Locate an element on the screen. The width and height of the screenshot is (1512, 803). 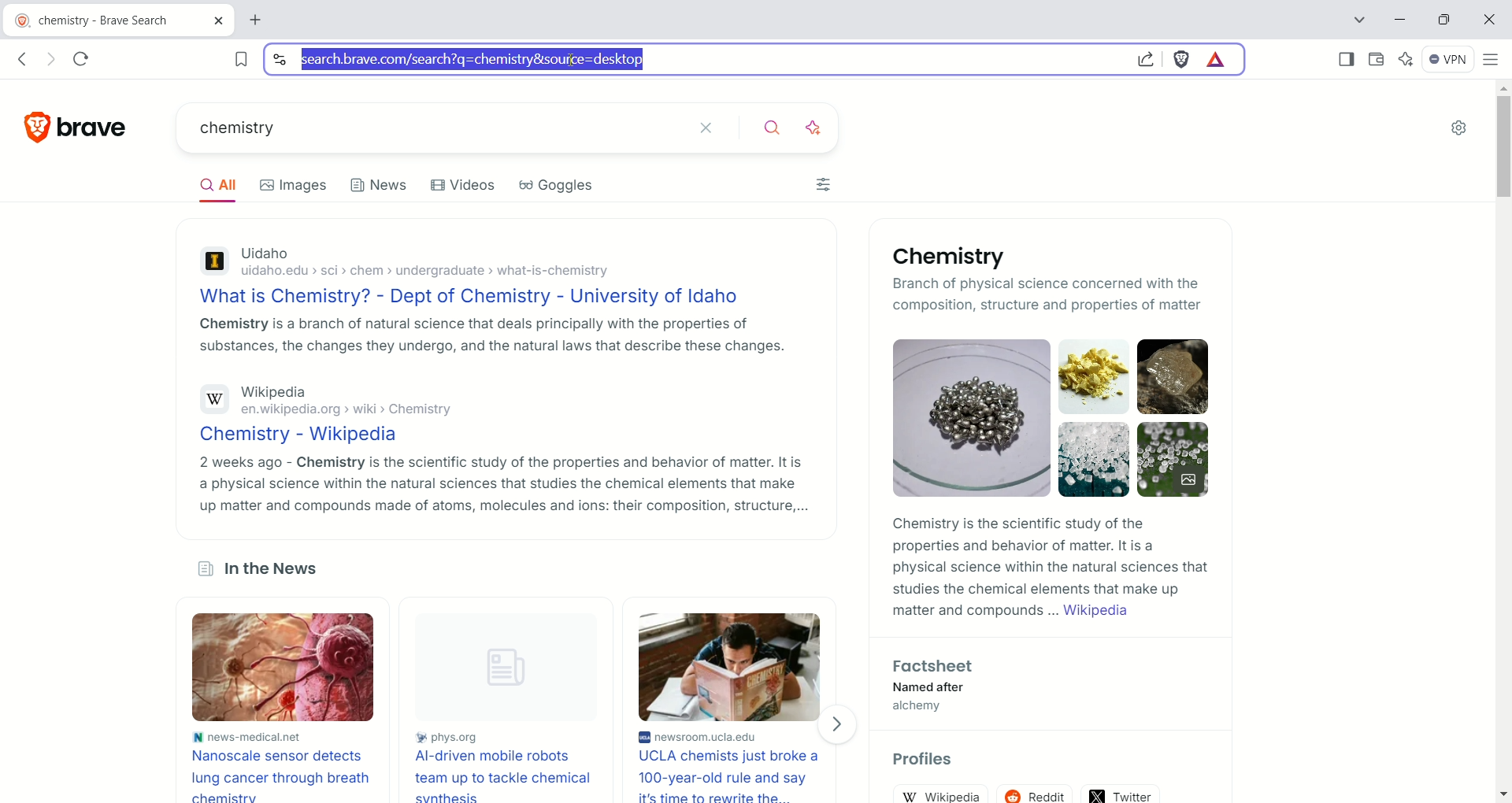
uidaho.edu > sci > chem > undergraduate > what-is-chemistry is located at coordinates (433, 273).